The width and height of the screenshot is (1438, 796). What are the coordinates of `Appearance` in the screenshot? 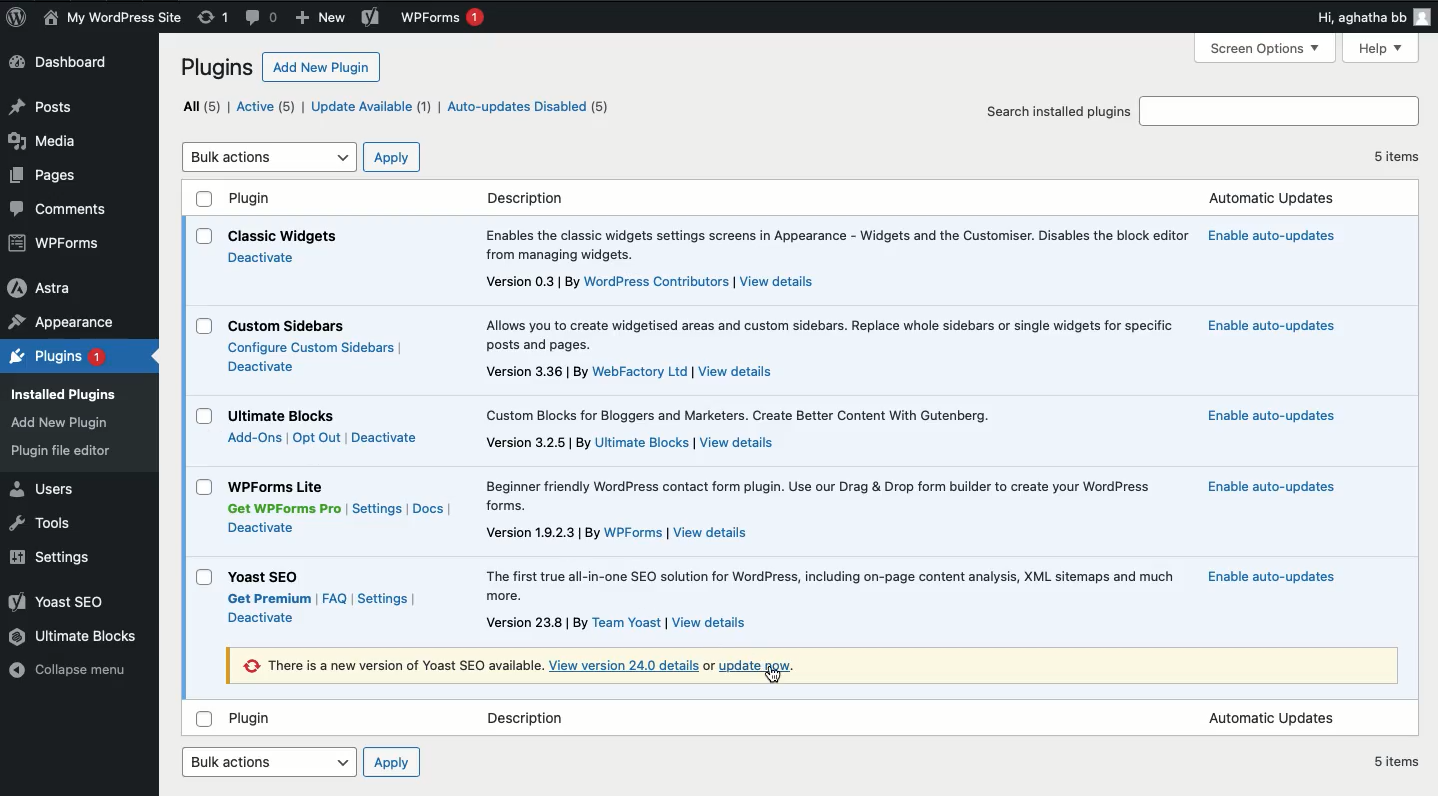 It's located at (59, 323).